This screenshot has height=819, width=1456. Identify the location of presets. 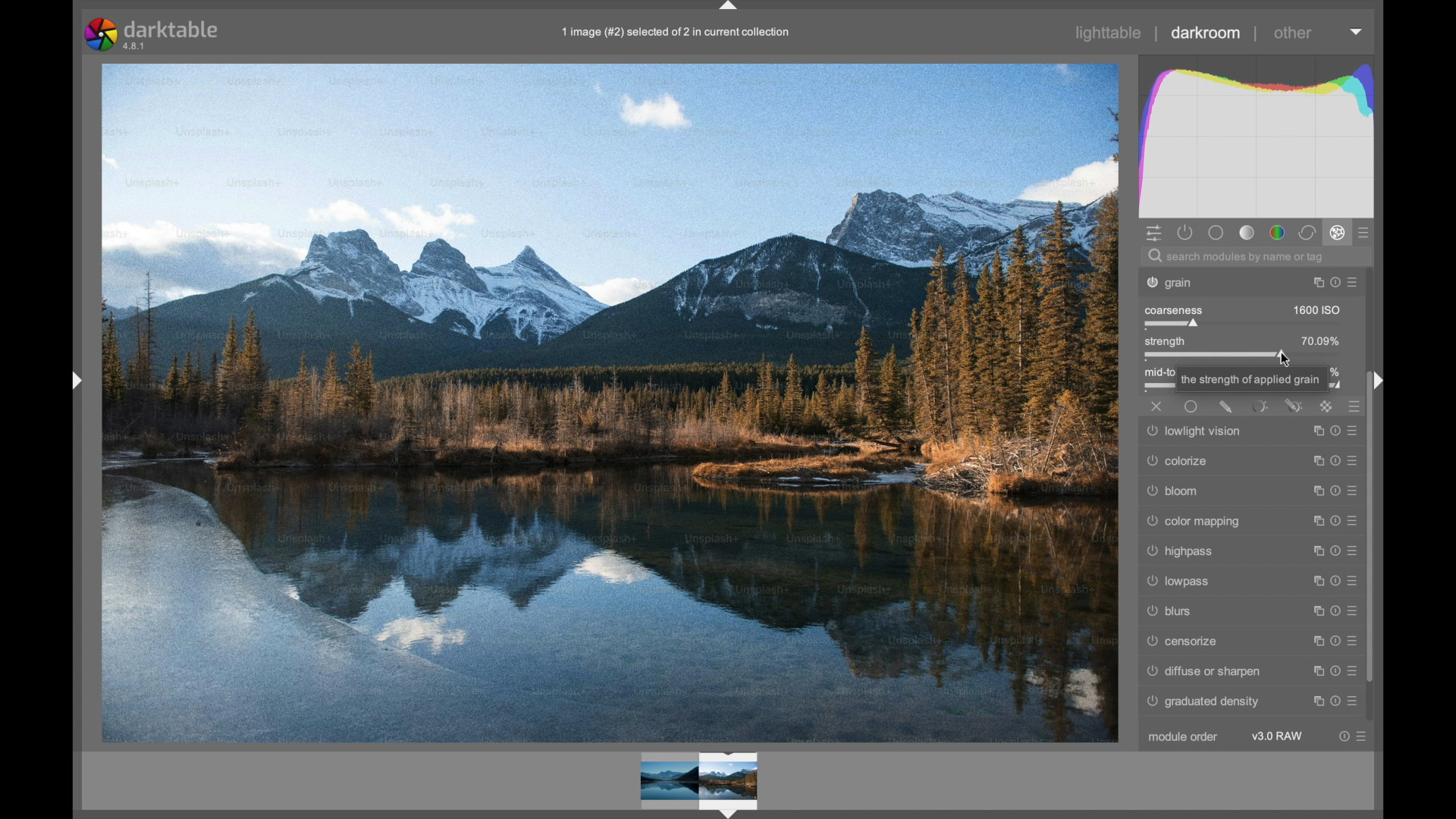
(1357, 611).